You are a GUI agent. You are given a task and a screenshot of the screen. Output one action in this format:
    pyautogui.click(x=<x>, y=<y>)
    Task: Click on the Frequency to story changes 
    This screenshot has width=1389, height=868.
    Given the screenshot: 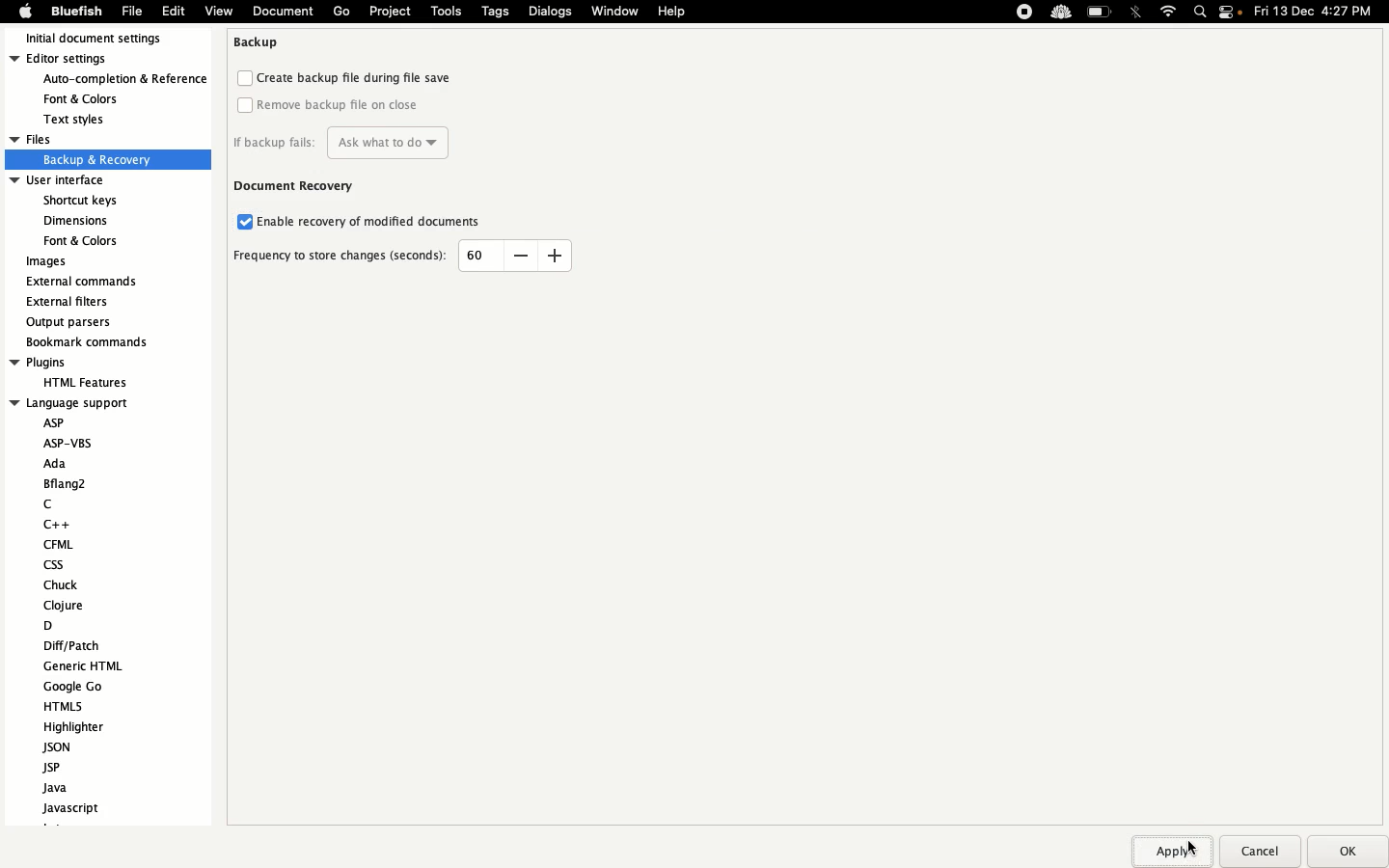 What is the action you would take?
    pyautogui.click(x=343, y=258)
    